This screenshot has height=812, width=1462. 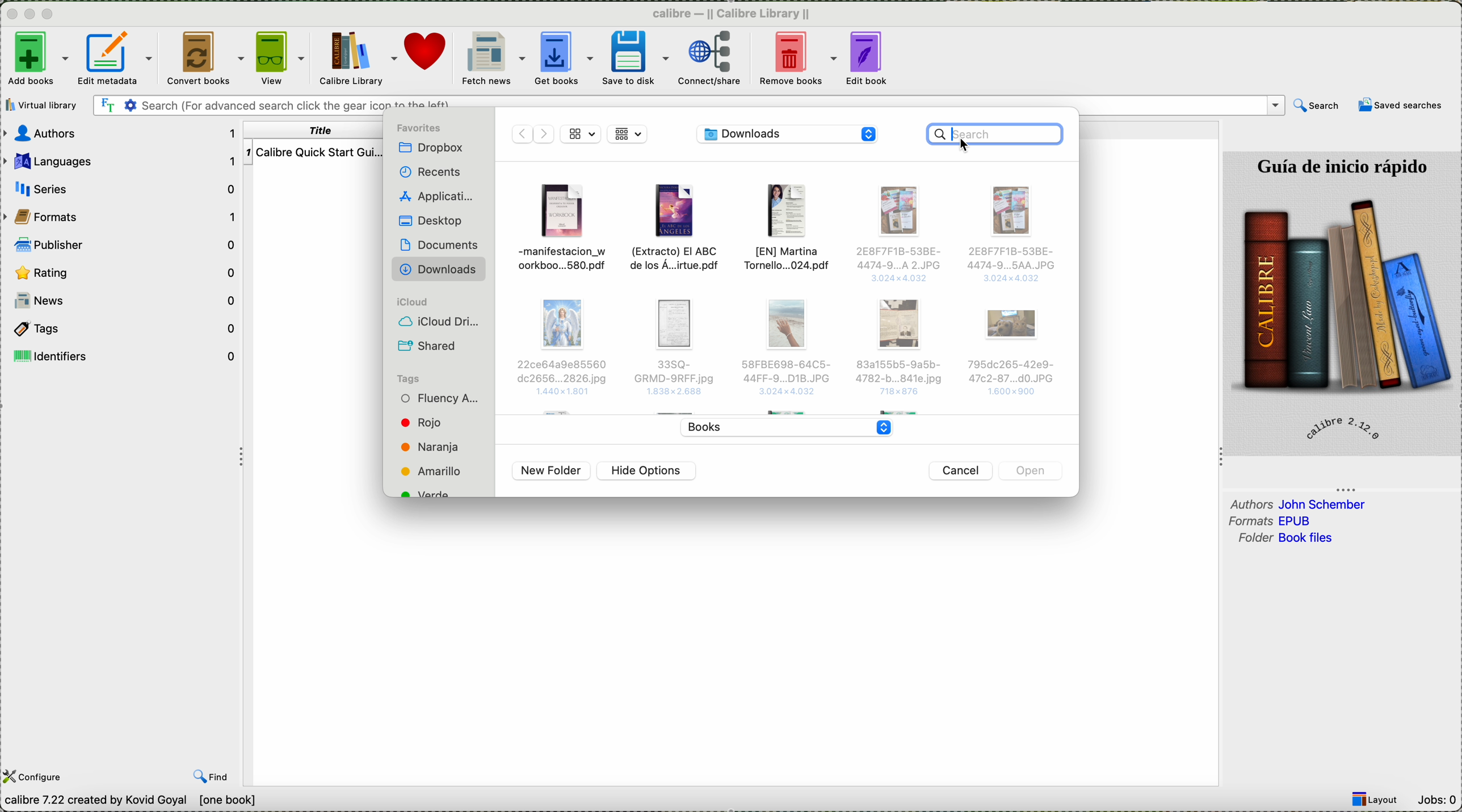 What do you see at coordinates (628, 133) in the screenshot?
I see `grid view` at bounding box center [628, 133].